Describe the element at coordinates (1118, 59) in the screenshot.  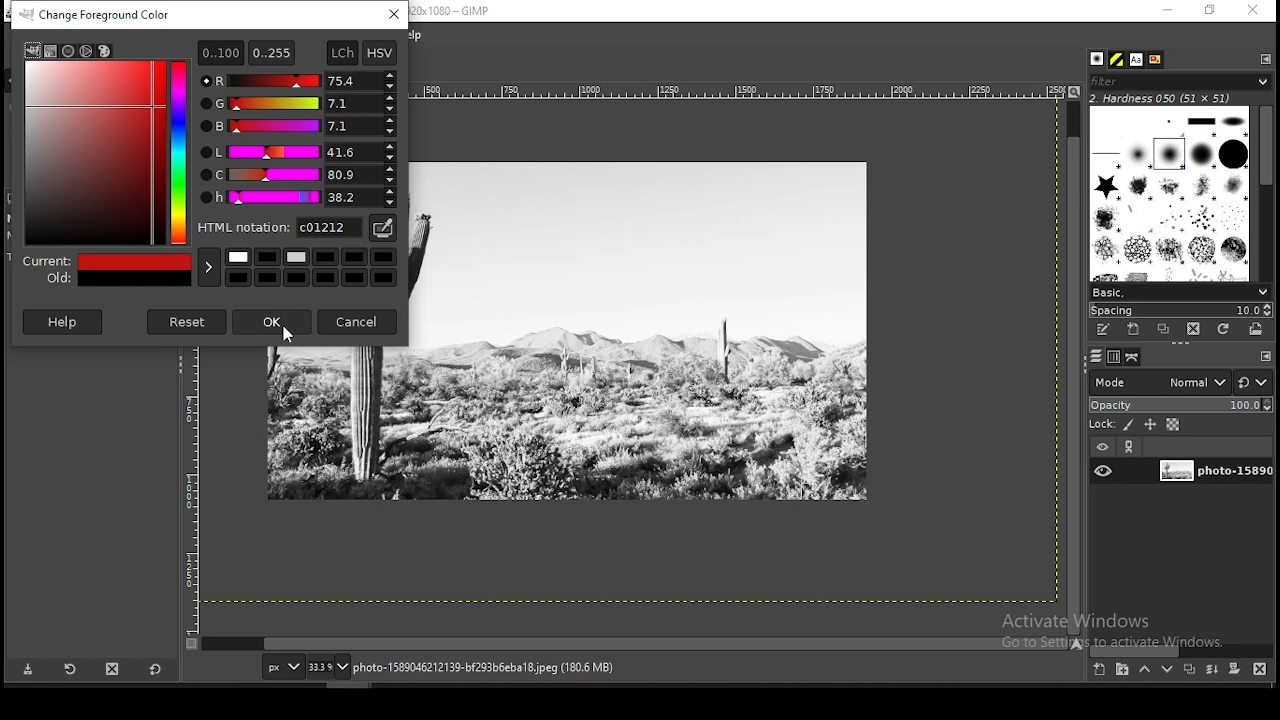
I see `patterns` at that location.